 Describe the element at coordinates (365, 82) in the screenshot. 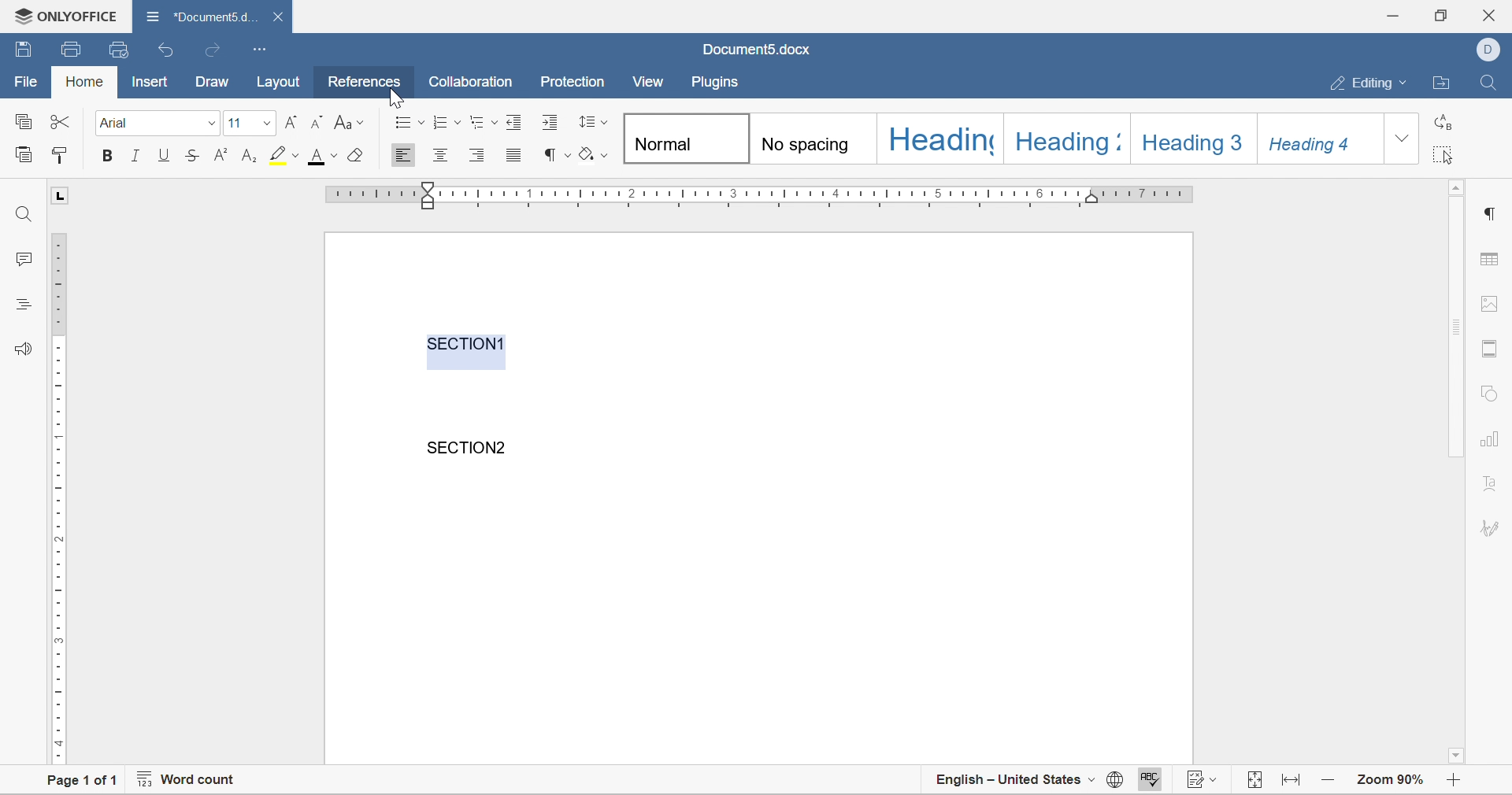

I see `references` at that location.